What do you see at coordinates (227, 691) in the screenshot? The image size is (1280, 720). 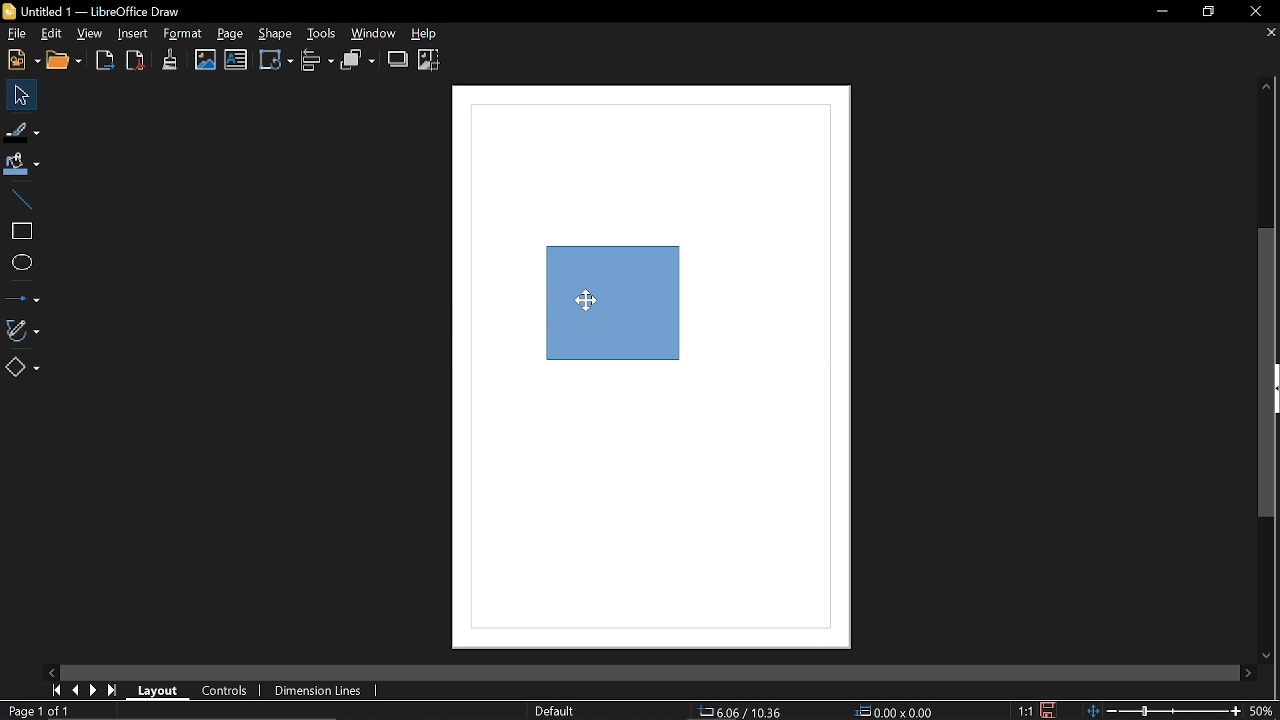 I see `Controls` at bounding box center [227, 691].